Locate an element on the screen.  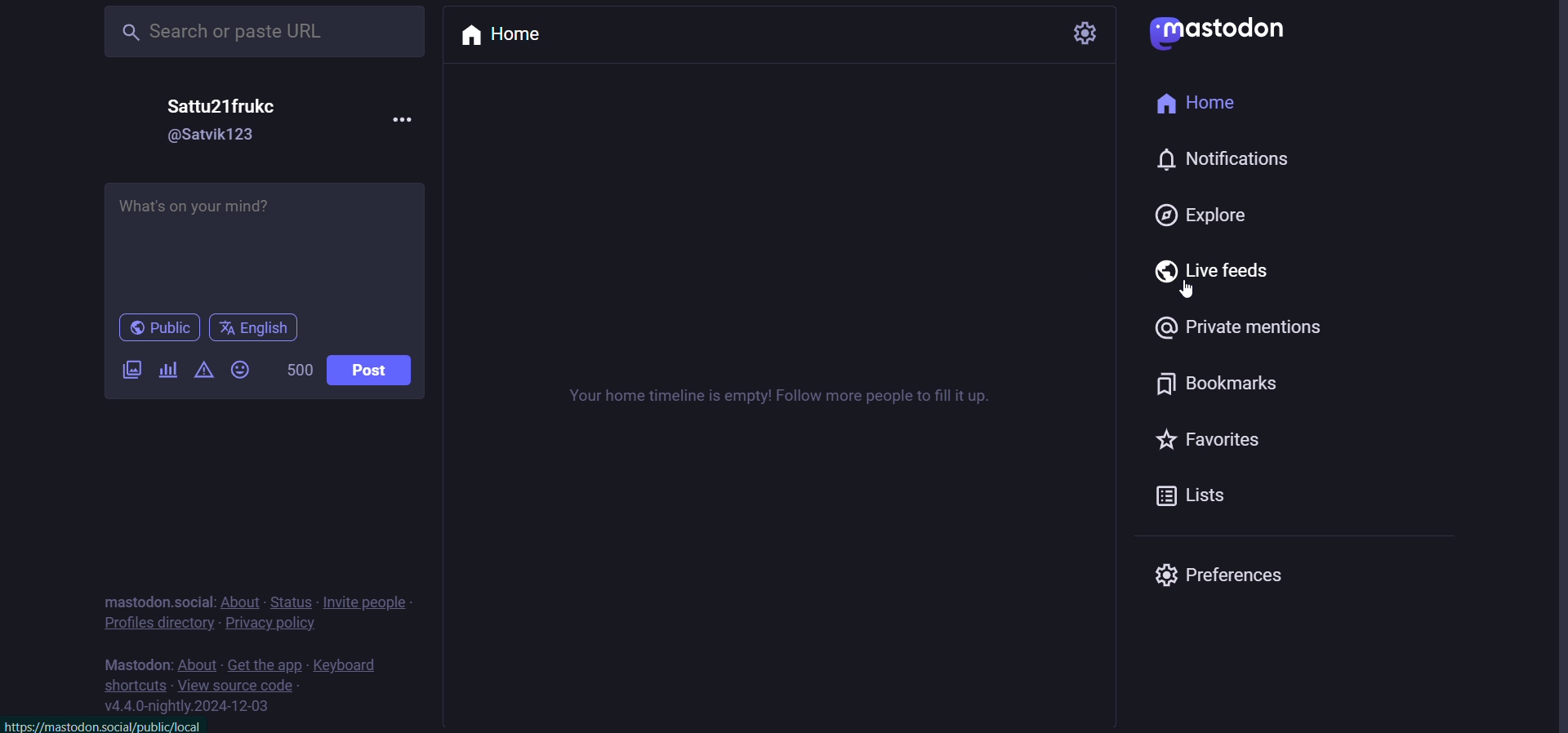
home is located at coordinates (1197, 104).